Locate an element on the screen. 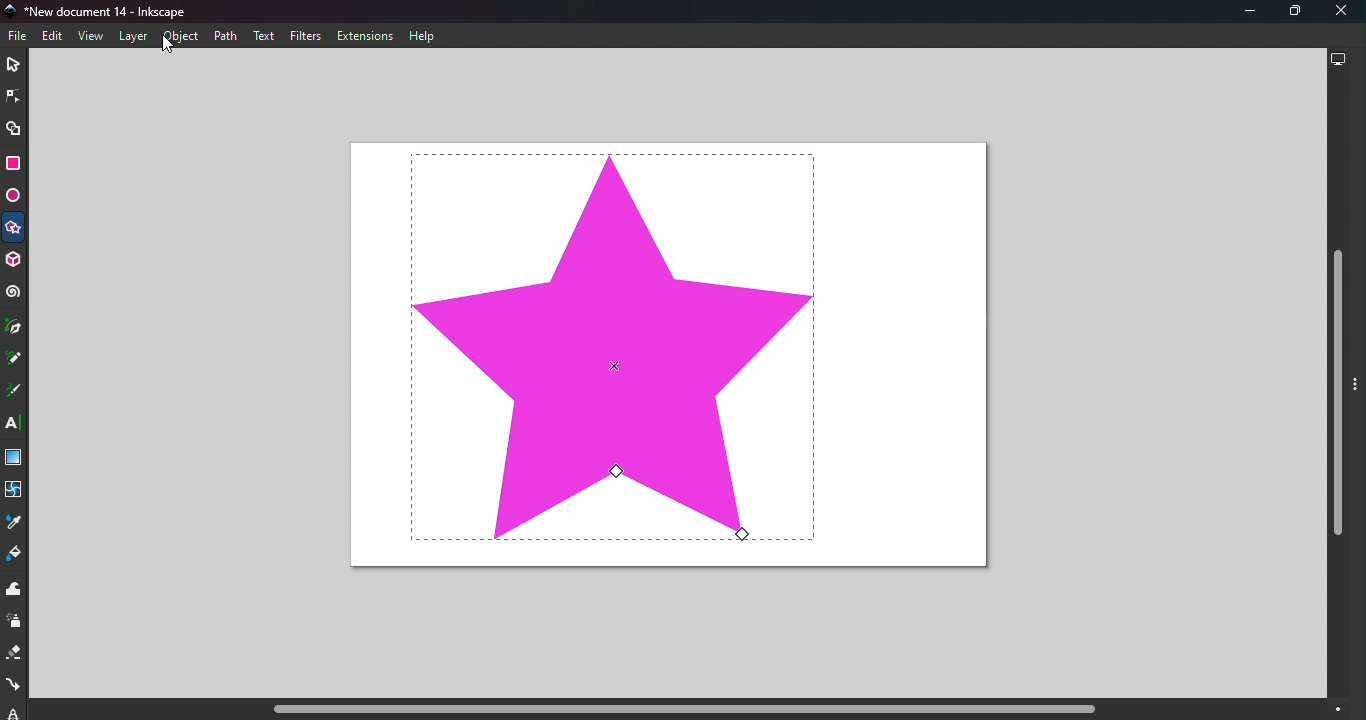 Image resolution: width=1366 pixels, height=720 pixels. Pen tool is located at coordinates (15, 327).